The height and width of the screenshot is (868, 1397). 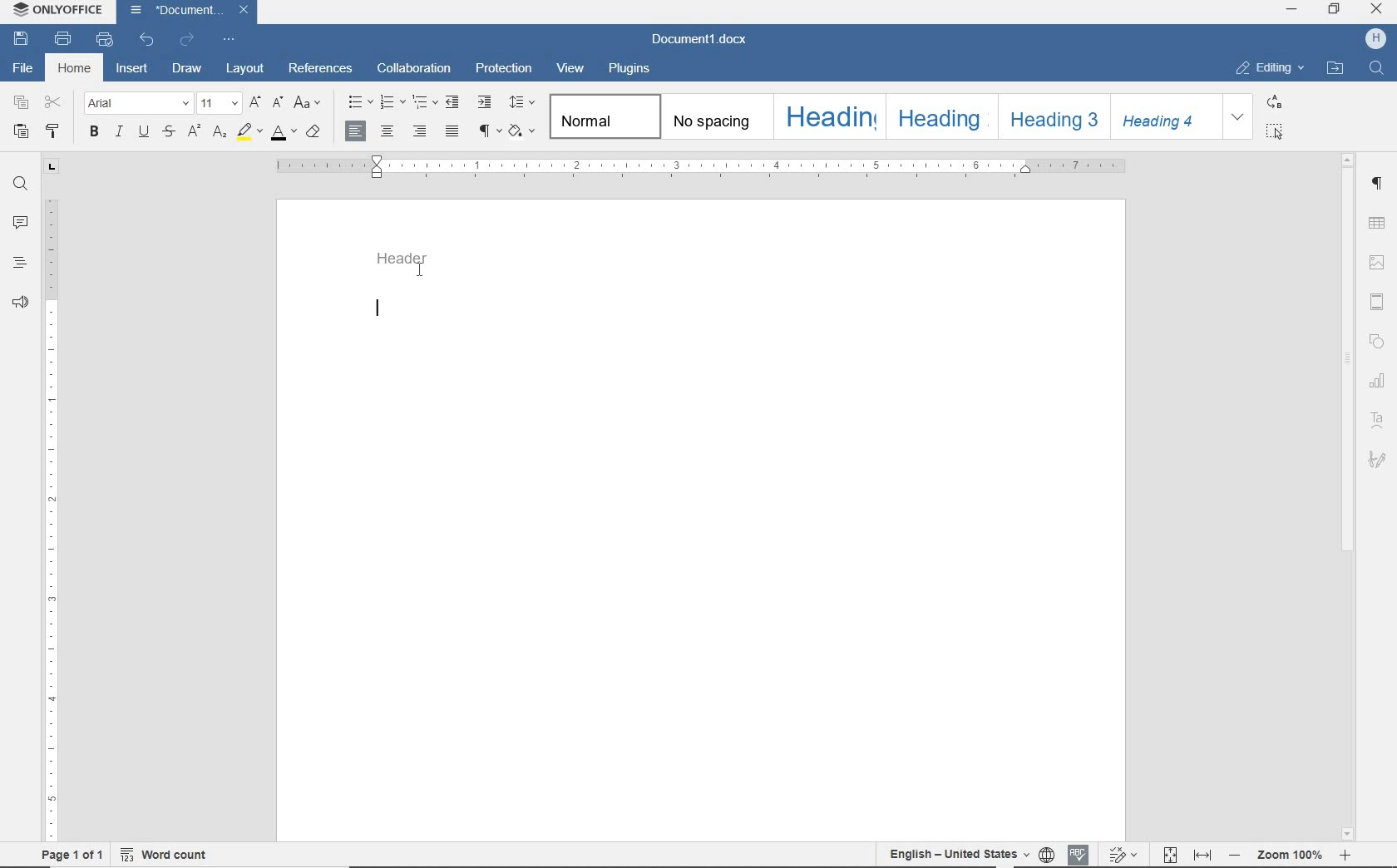 What do you see at coordinates (392, 103) in the screenshot?
I see `numbering` at bounding box center [392, 103].